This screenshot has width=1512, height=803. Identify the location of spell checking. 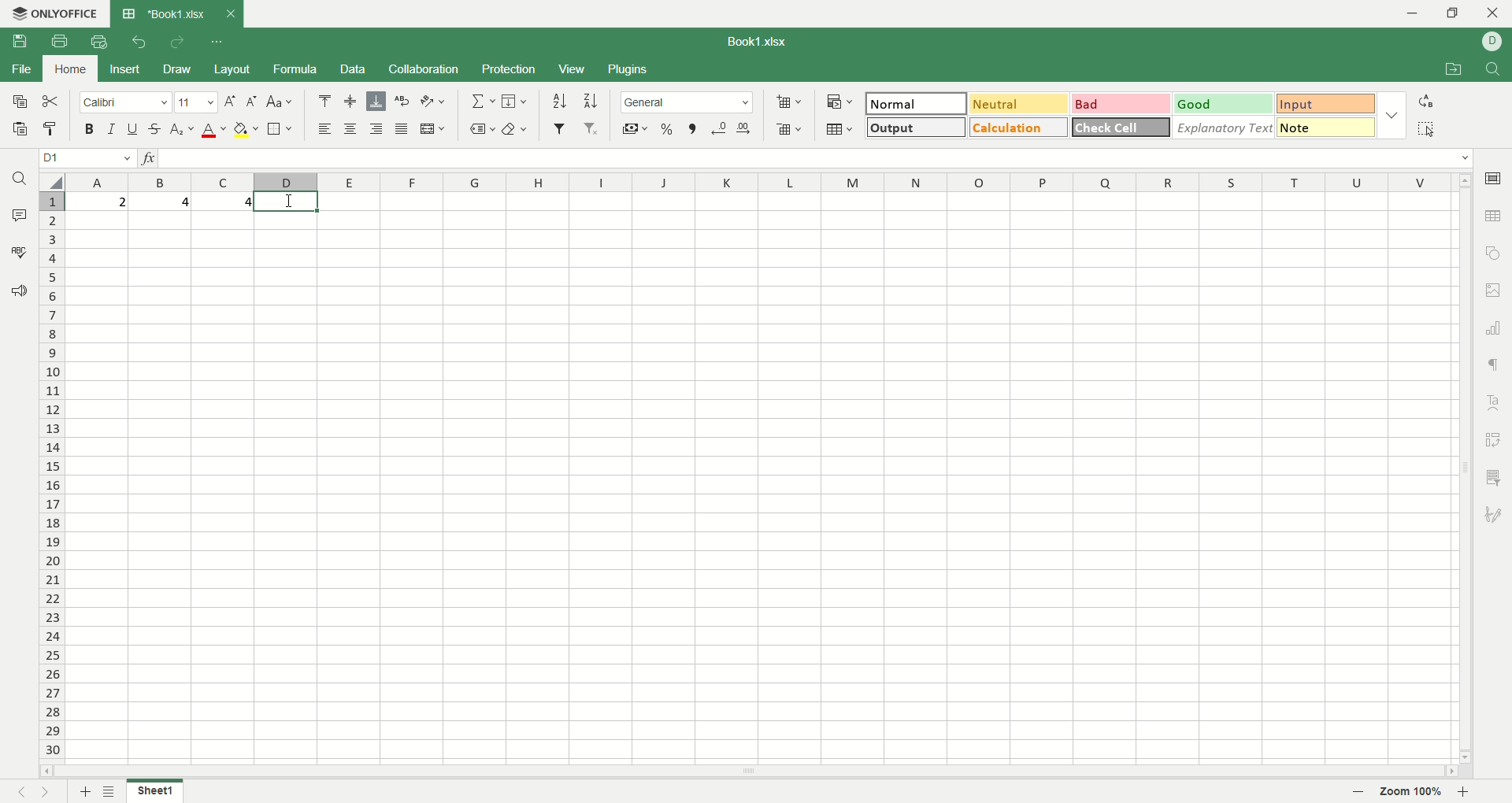
(18, 253).